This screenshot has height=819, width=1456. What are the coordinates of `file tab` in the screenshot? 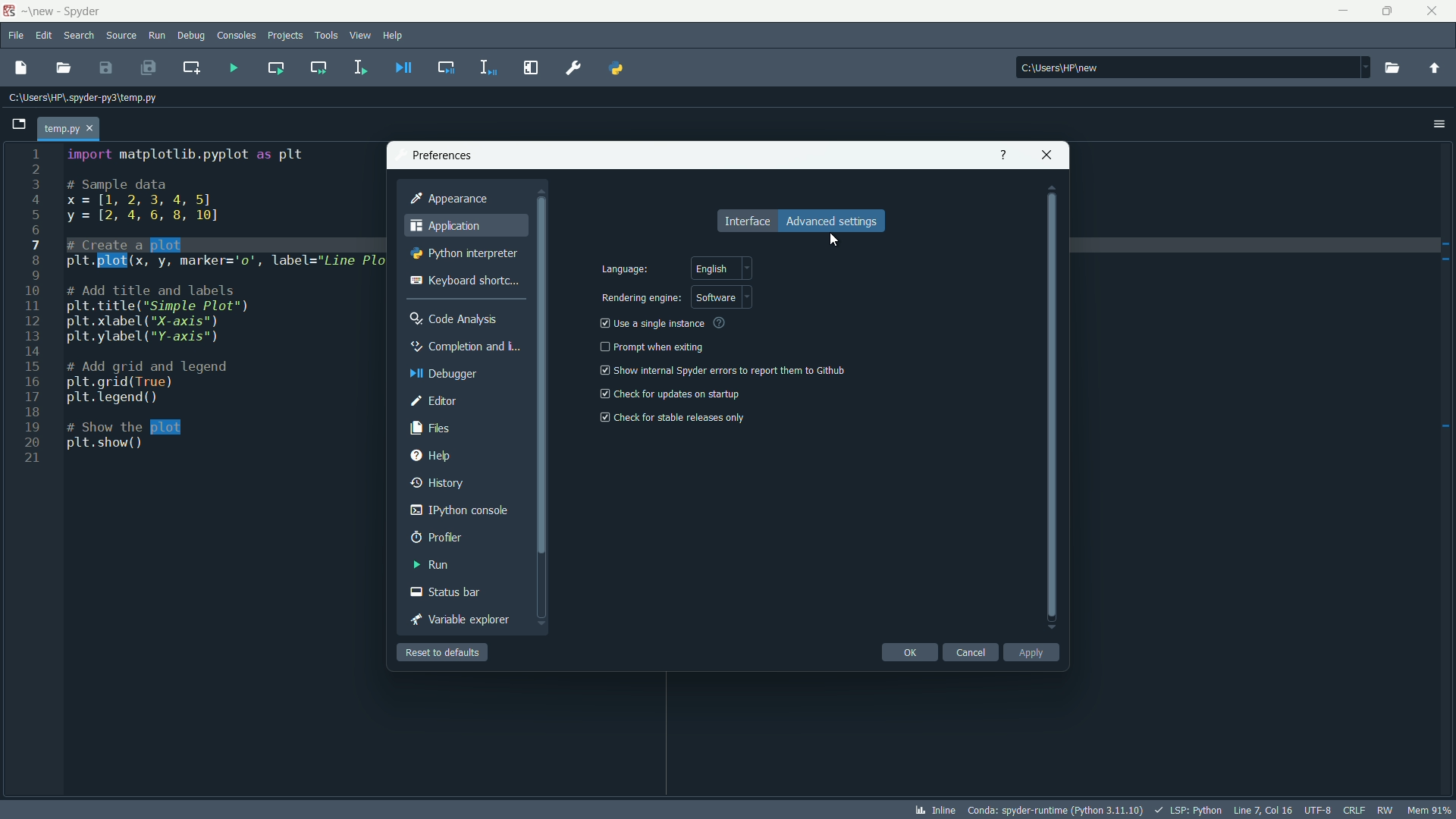 It's located at (71, 127).